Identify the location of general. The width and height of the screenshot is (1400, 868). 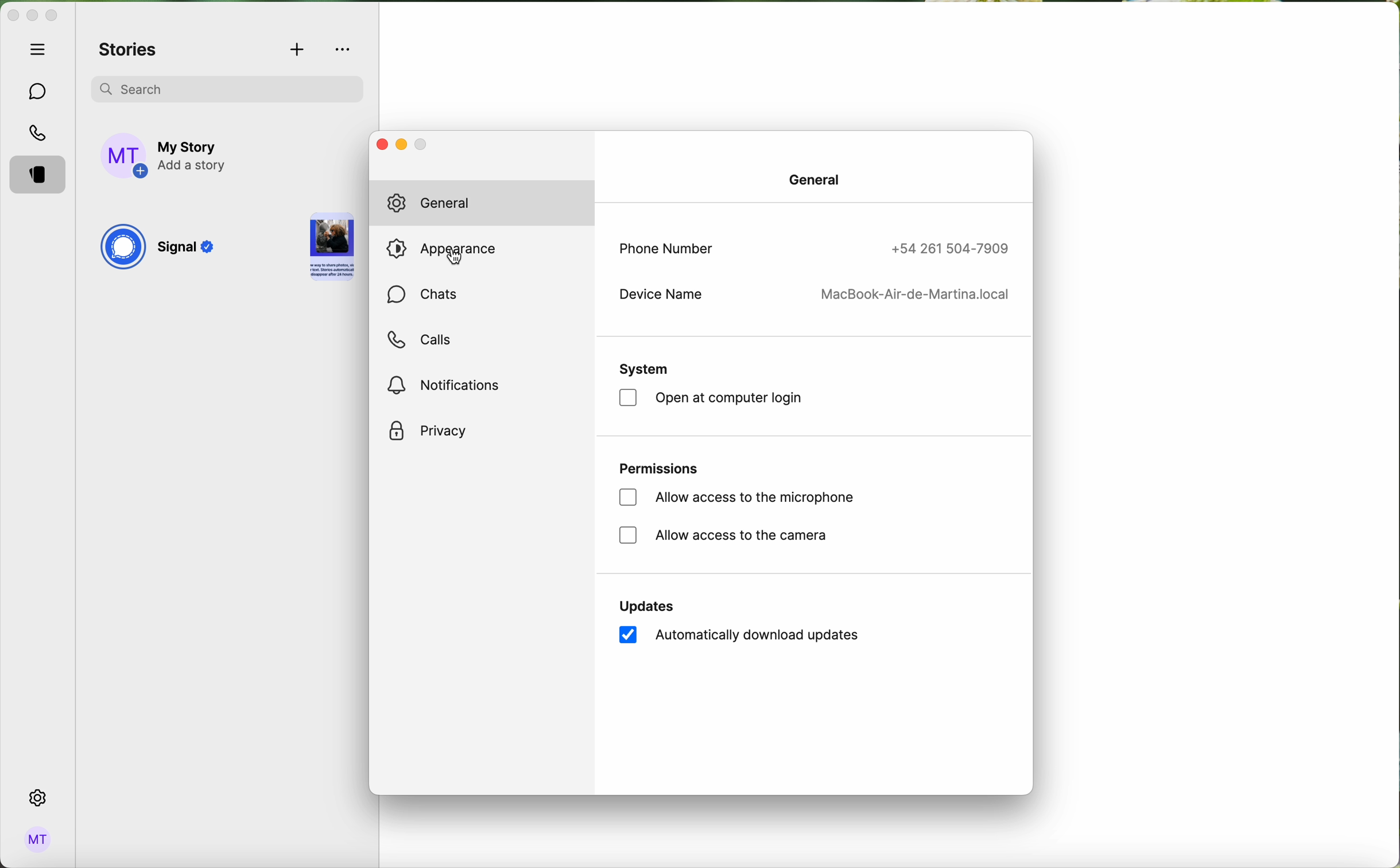
(815, 179).